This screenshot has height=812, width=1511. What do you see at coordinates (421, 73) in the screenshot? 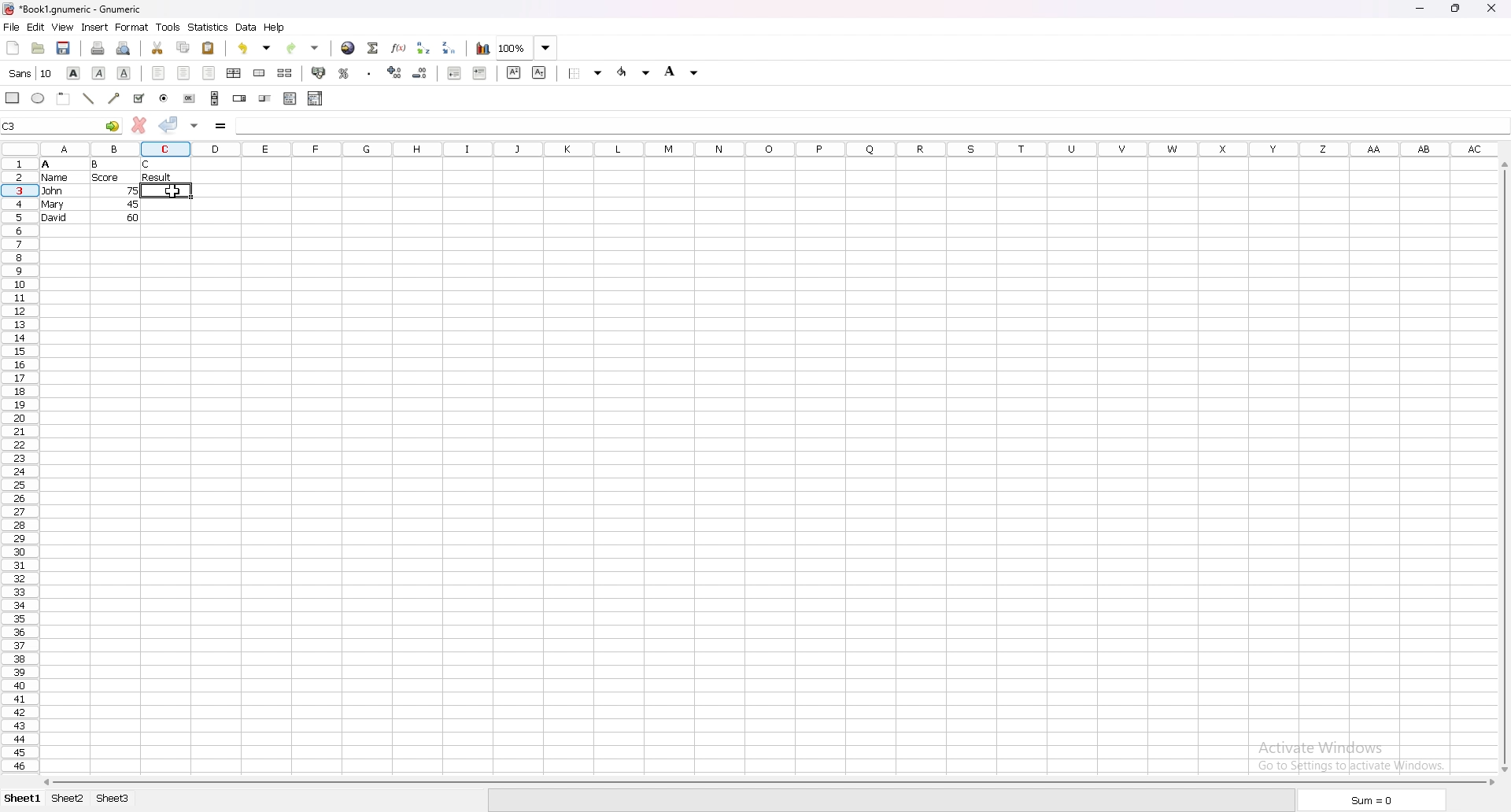
I see `decrease decimals` at bounding box center [421, 73].